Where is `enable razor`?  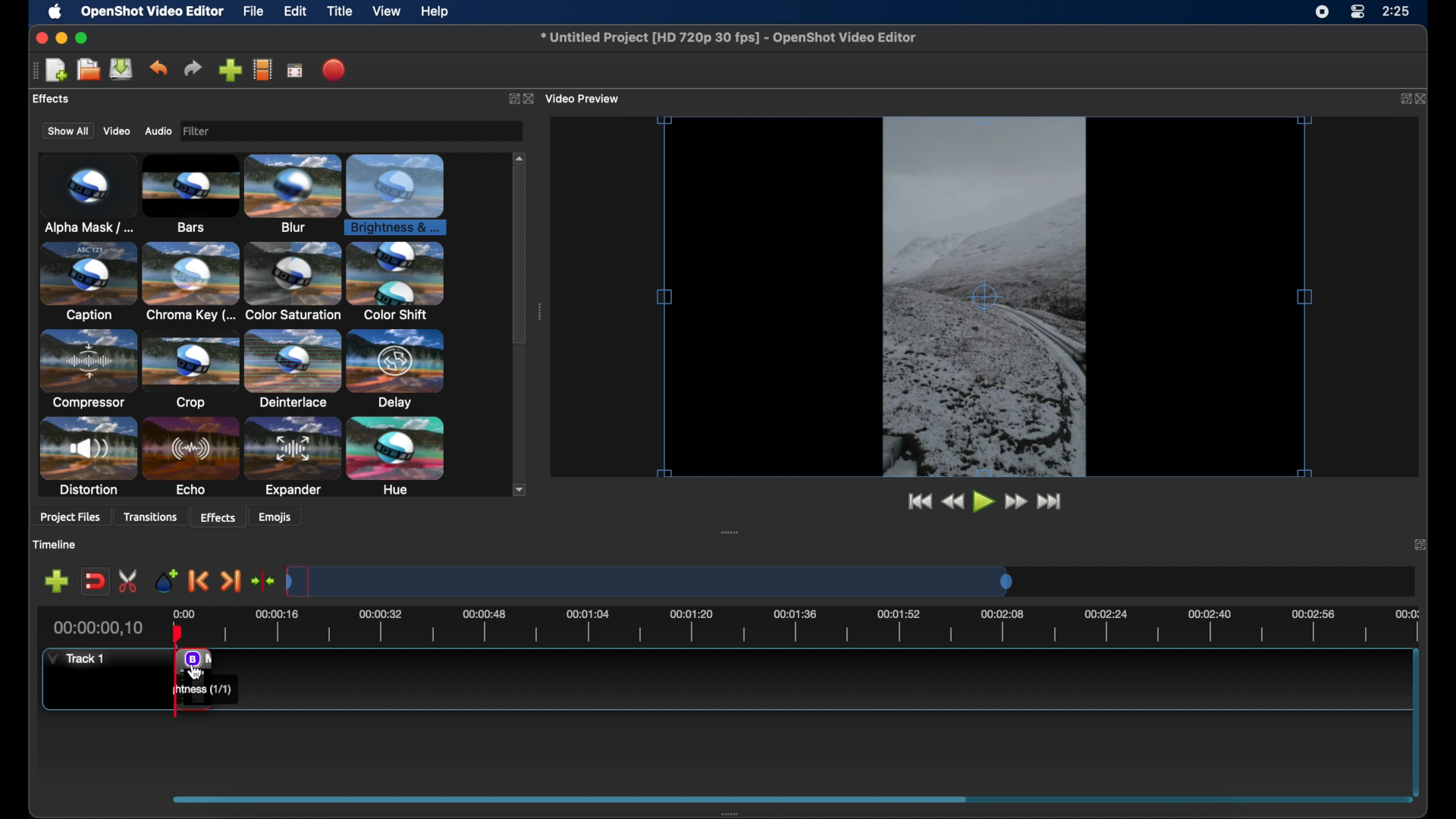
enable razor is located at coordinates (128, 581).